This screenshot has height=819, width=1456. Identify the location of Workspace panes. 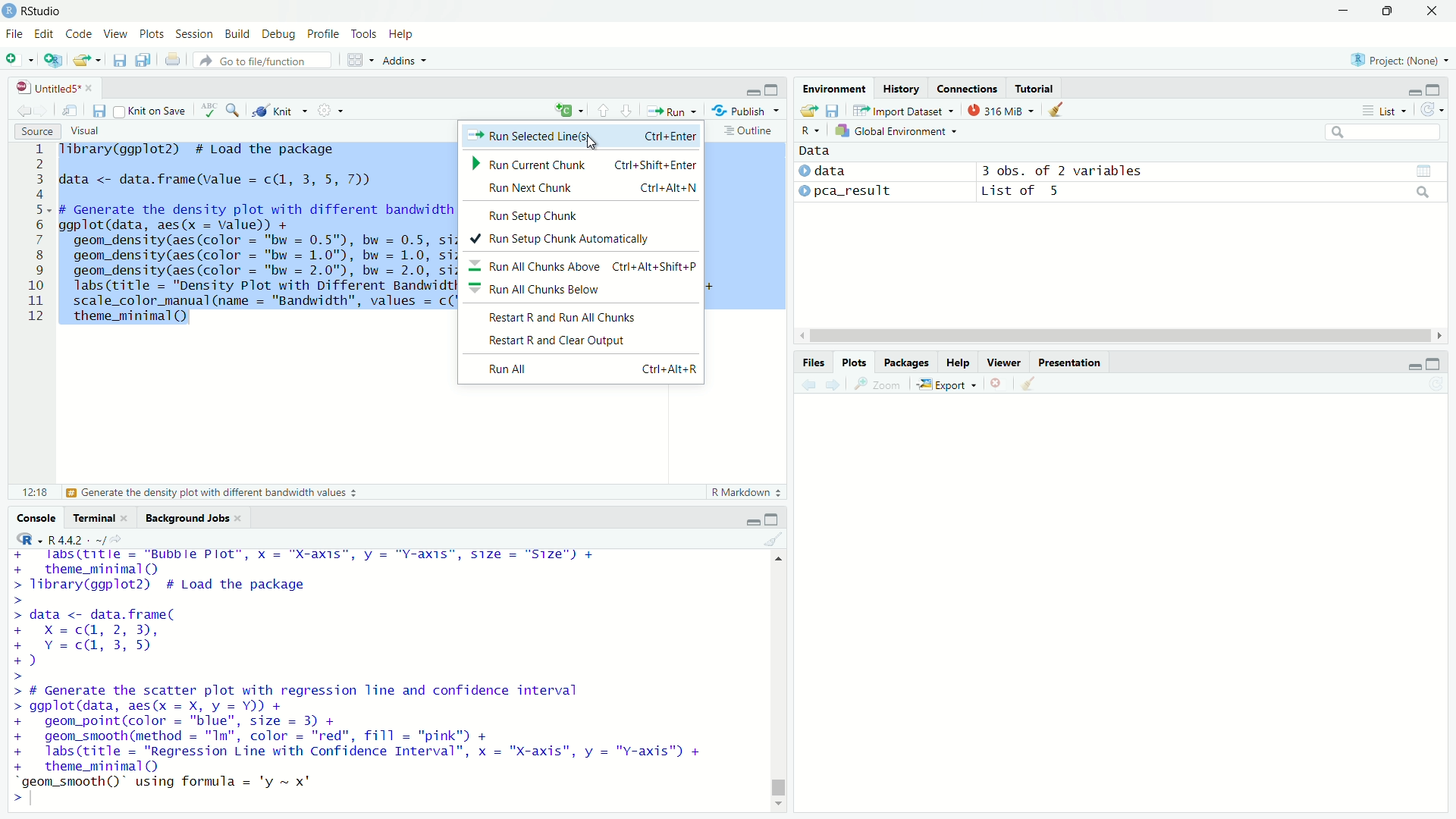
(360, 59).